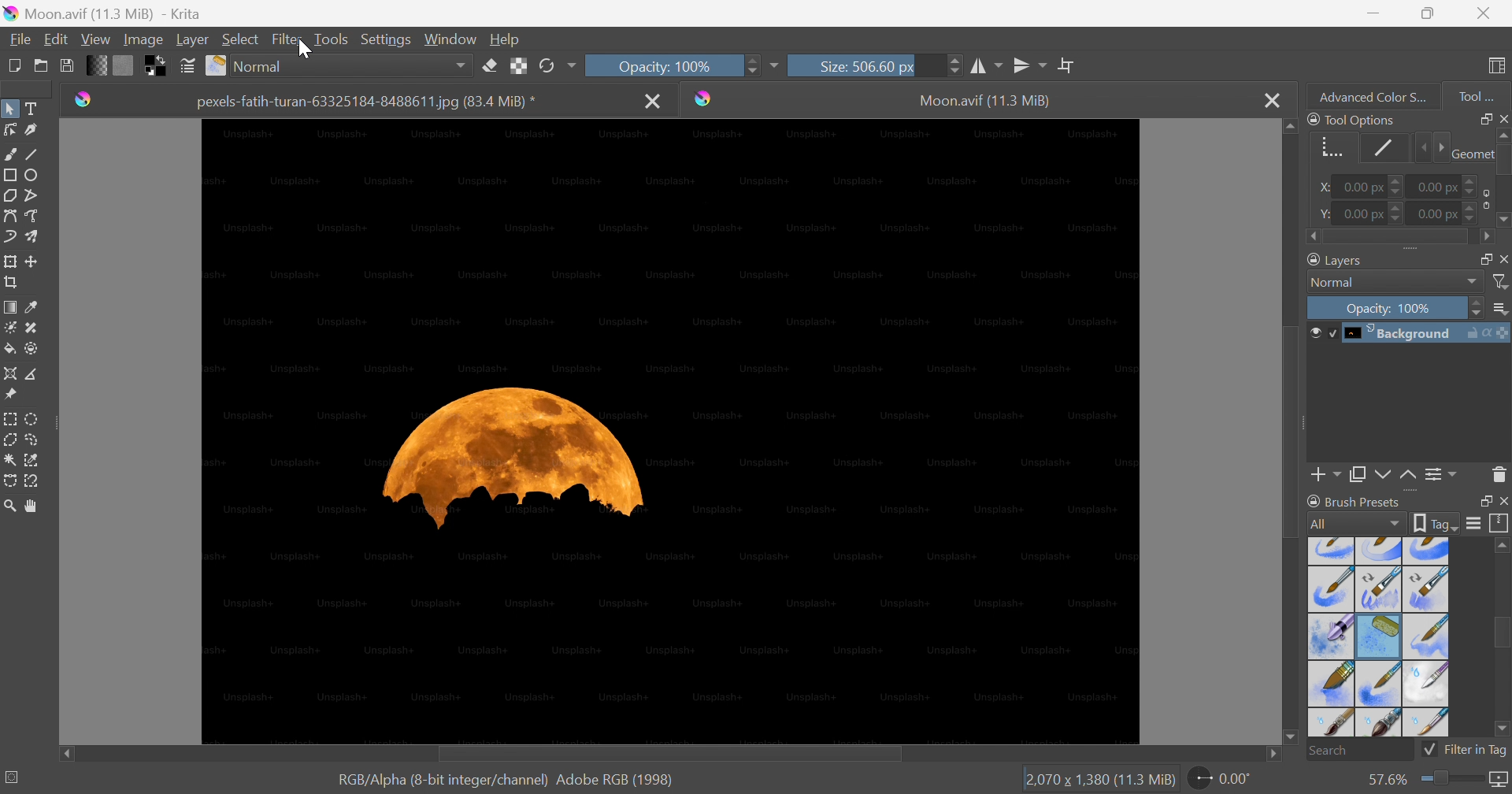 Image resolution: width=1512 pixels, height=794 pixels. I want to click on Multibrush tool, so click(34, 236).